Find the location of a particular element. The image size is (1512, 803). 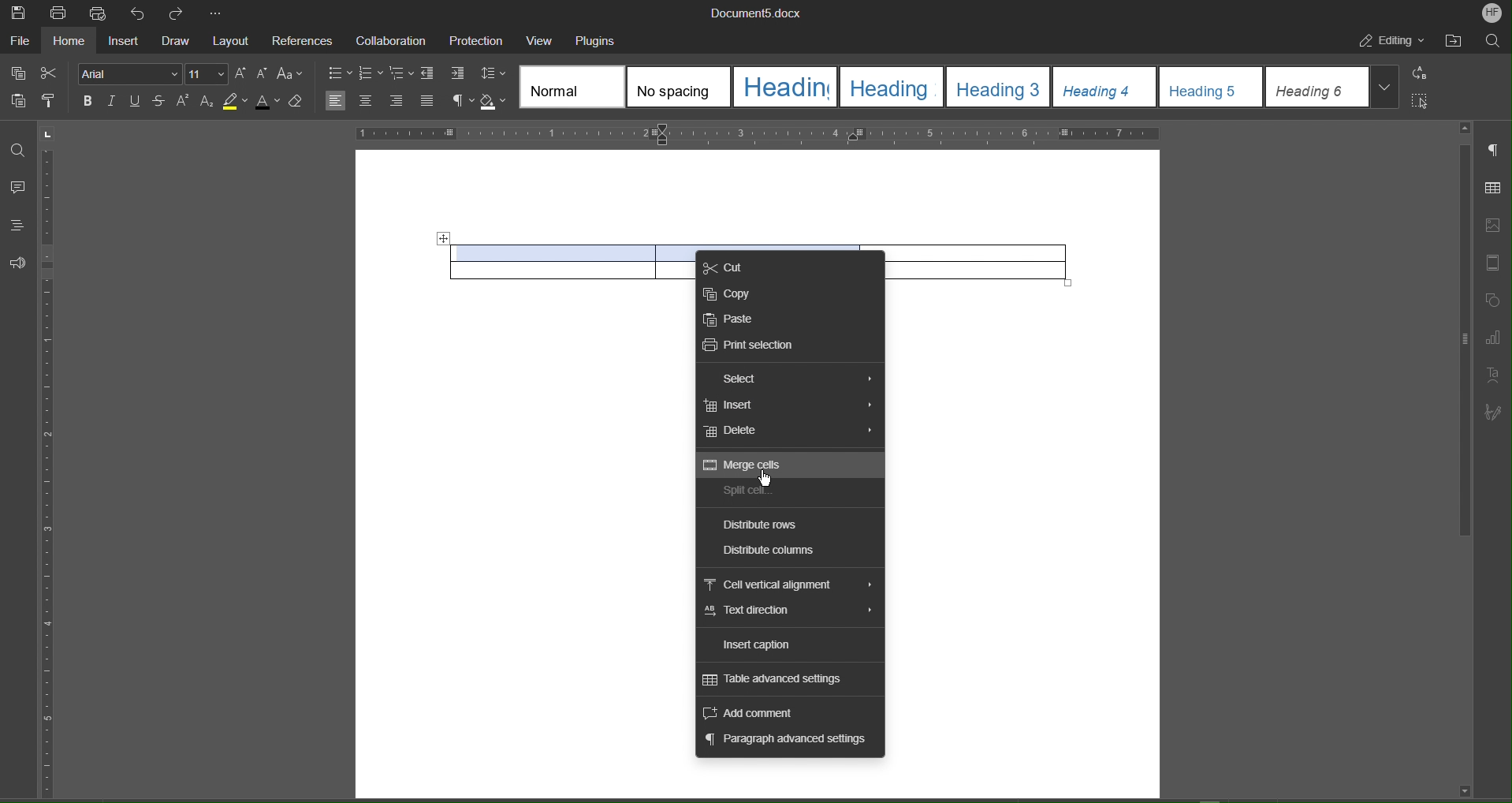

scroll down is located at coordinates (1464, 790).